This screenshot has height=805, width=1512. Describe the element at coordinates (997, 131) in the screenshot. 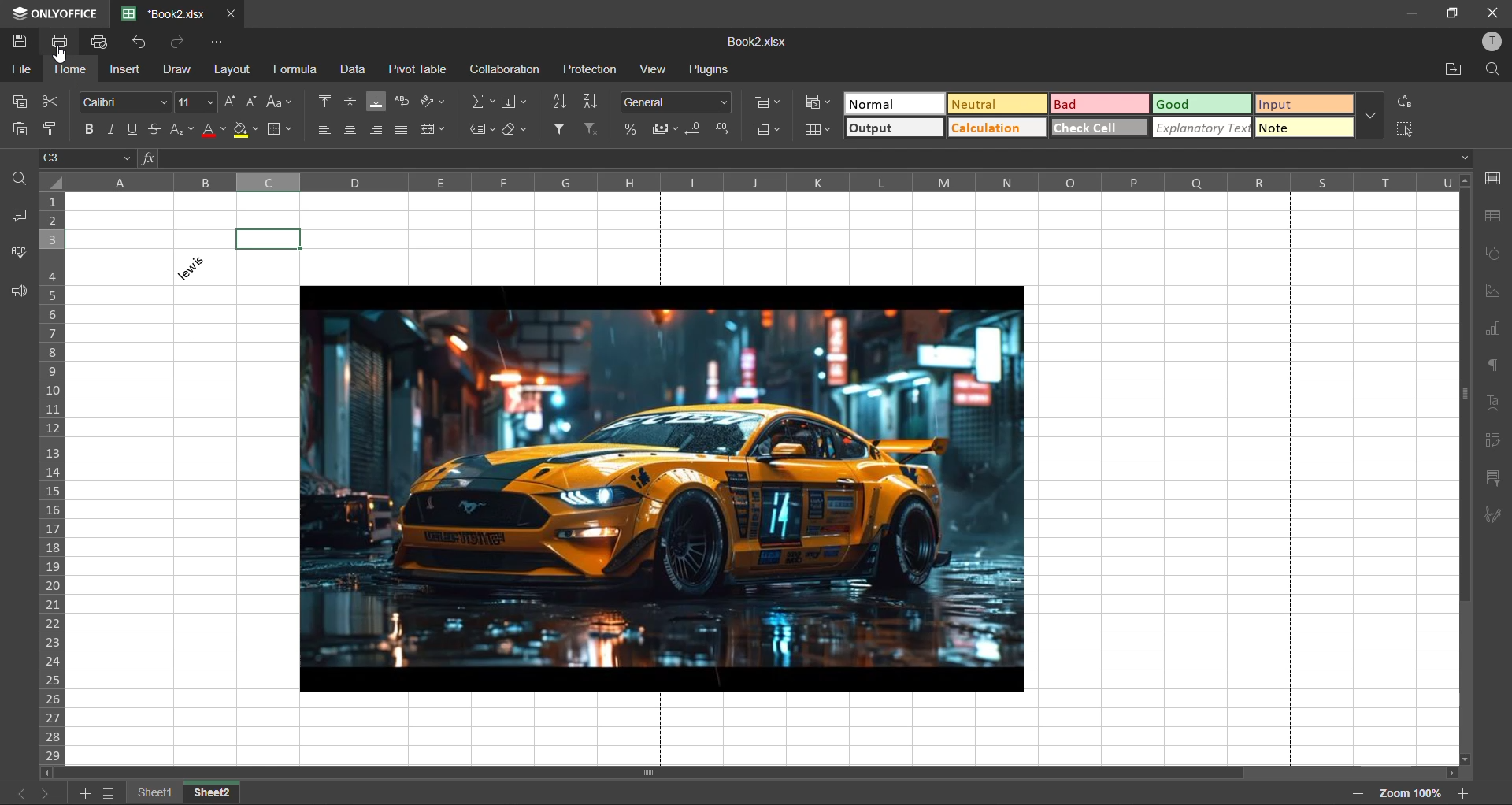

I see `calculation` at that location.